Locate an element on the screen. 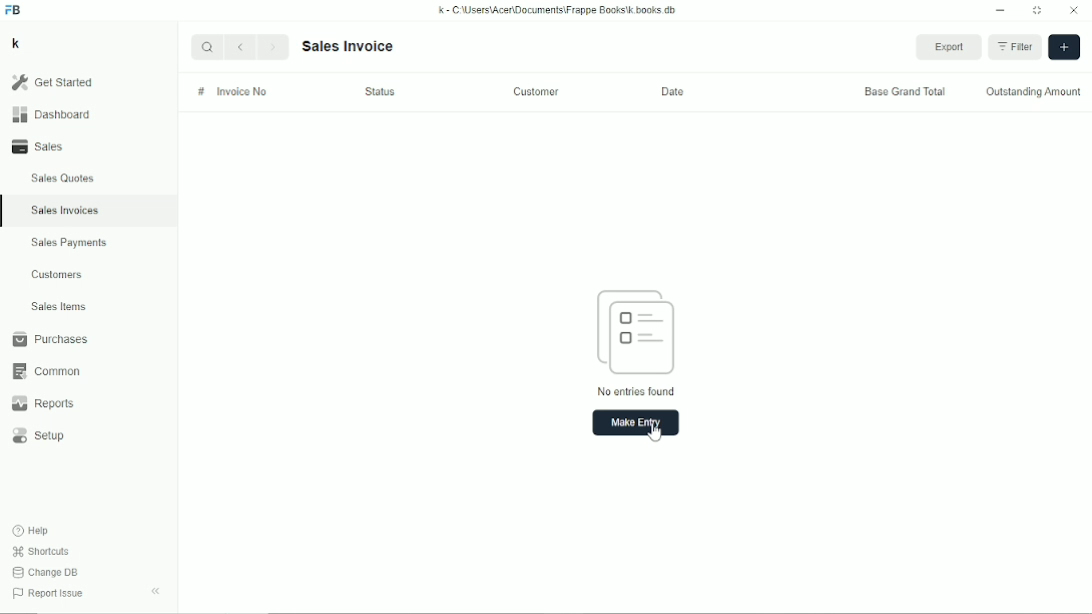 The image size is (1092, 614). k - C\Users\Acer\Documents\Frappe Books\k books db is located at coordinates (559, 9).